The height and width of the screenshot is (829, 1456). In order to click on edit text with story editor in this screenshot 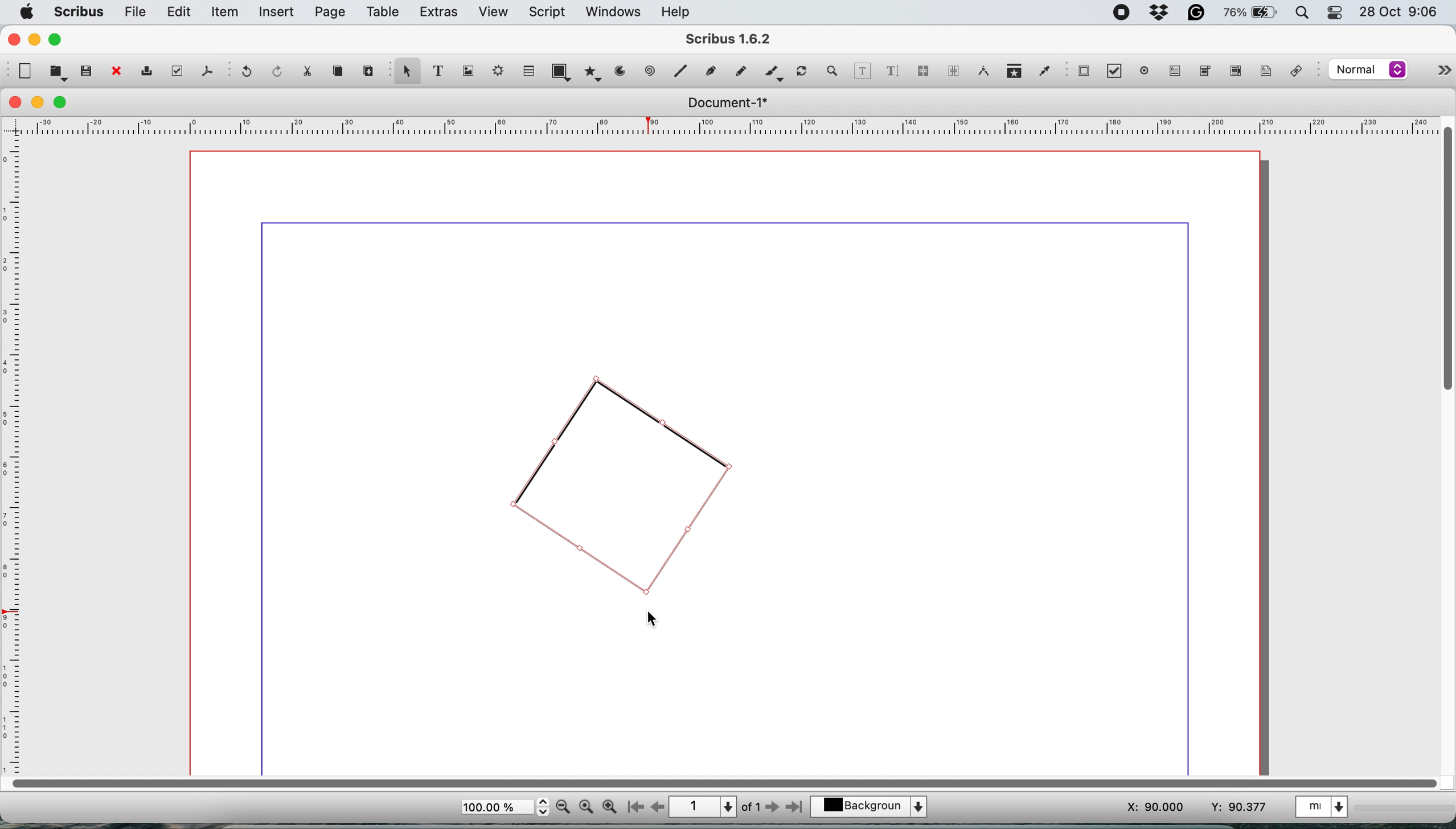, I will do `click(894, 70)`.